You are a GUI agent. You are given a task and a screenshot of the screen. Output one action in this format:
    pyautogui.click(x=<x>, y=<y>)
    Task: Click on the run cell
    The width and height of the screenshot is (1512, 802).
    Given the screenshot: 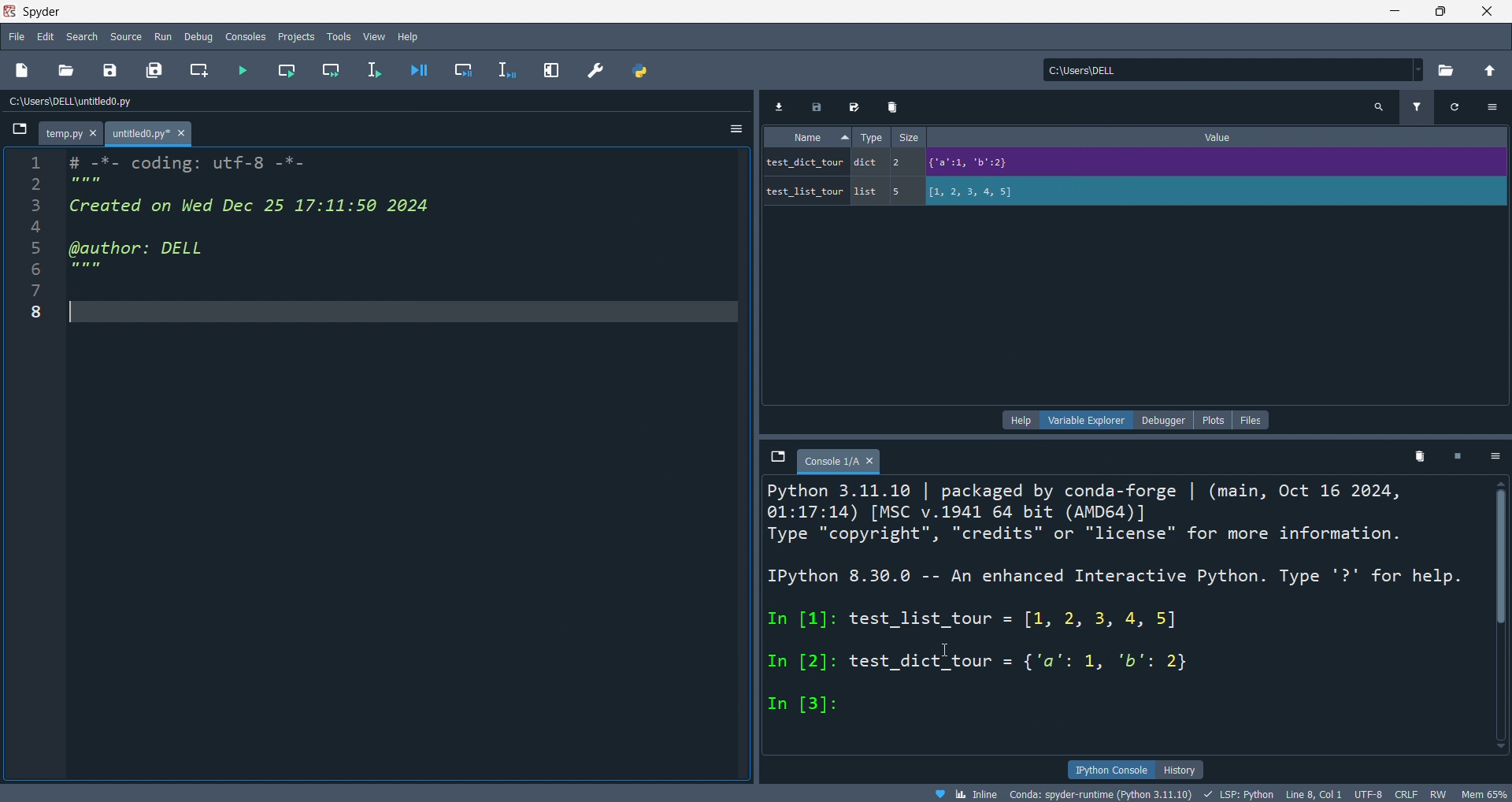 What is the action you would take?
    pyautogui.click(x=290, y=70)
    